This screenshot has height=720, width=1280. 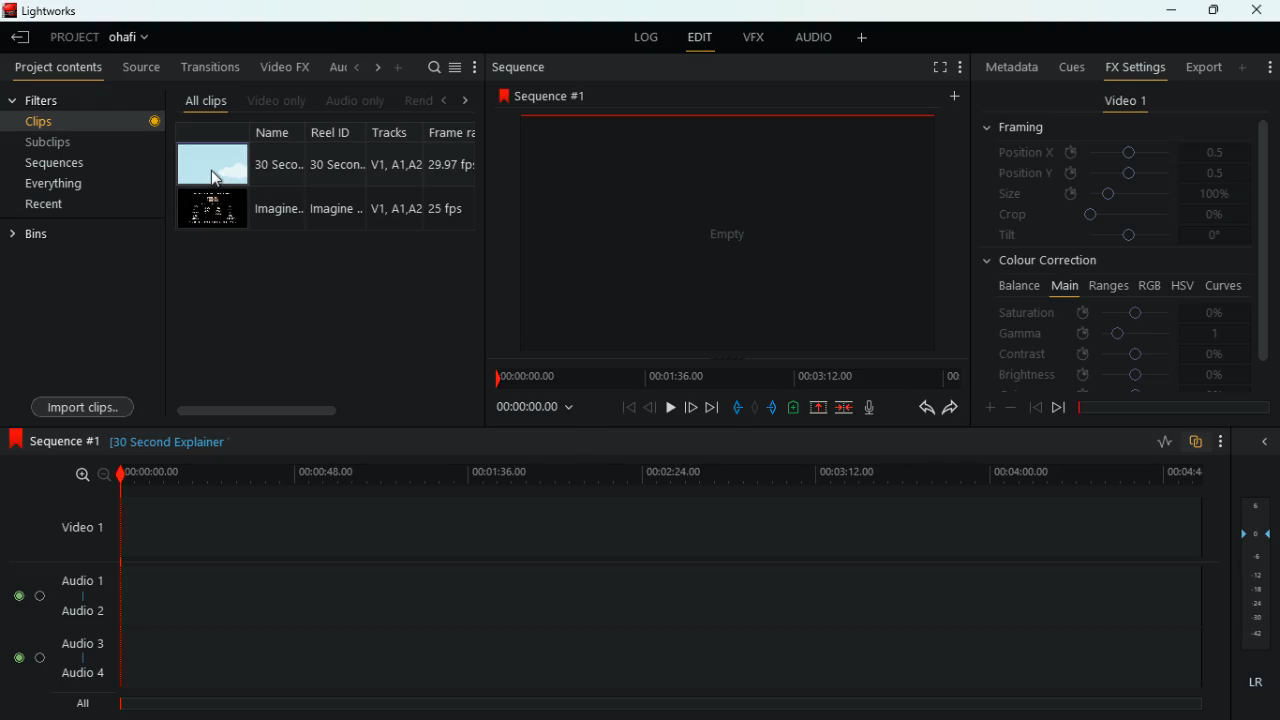 I want to click on leave, so click(x=20, y=37).